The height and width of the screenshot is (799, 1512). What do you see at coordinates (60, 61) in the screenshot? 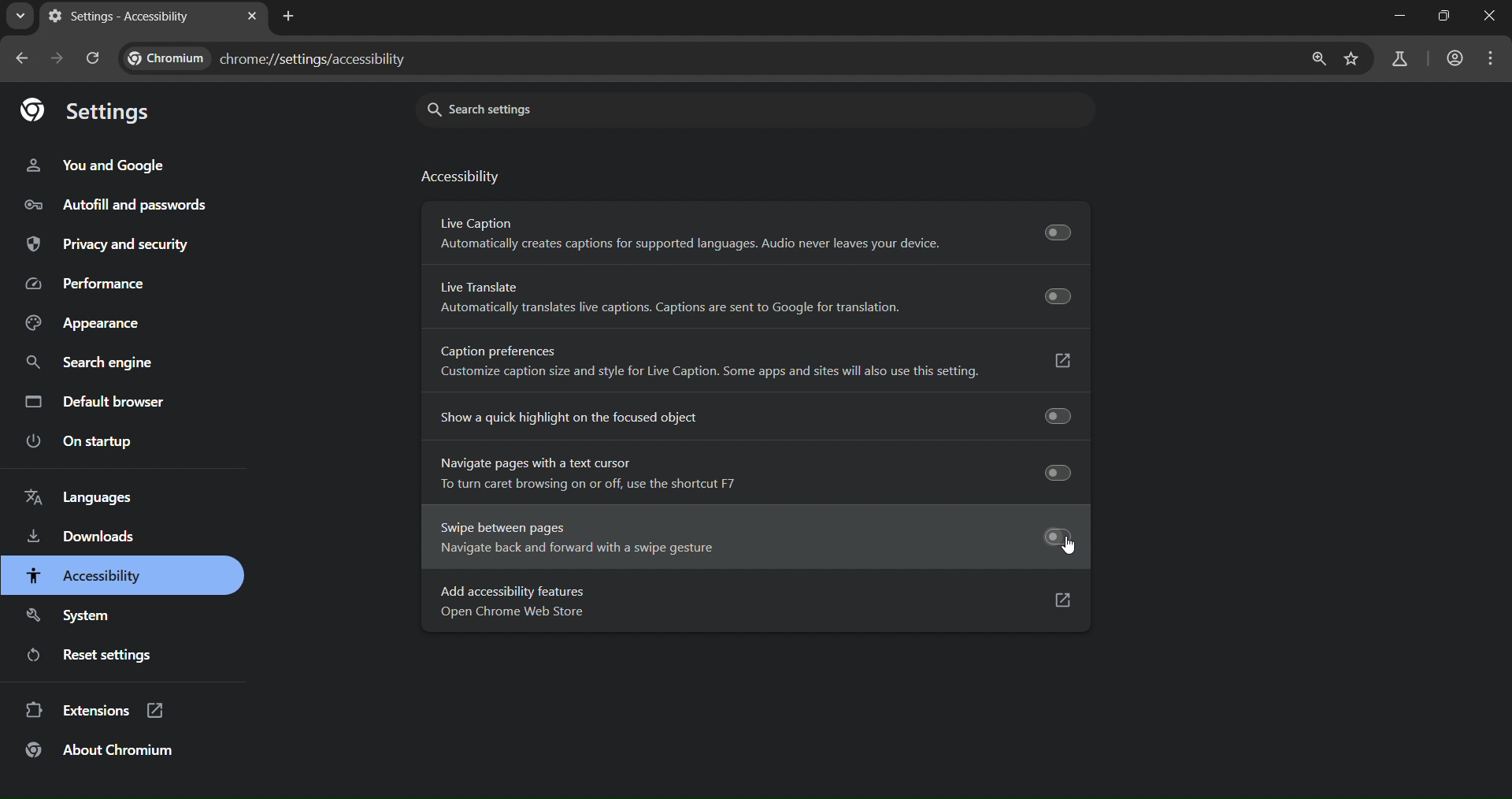
I see `go forward one page` at bounding box center [60, 61].